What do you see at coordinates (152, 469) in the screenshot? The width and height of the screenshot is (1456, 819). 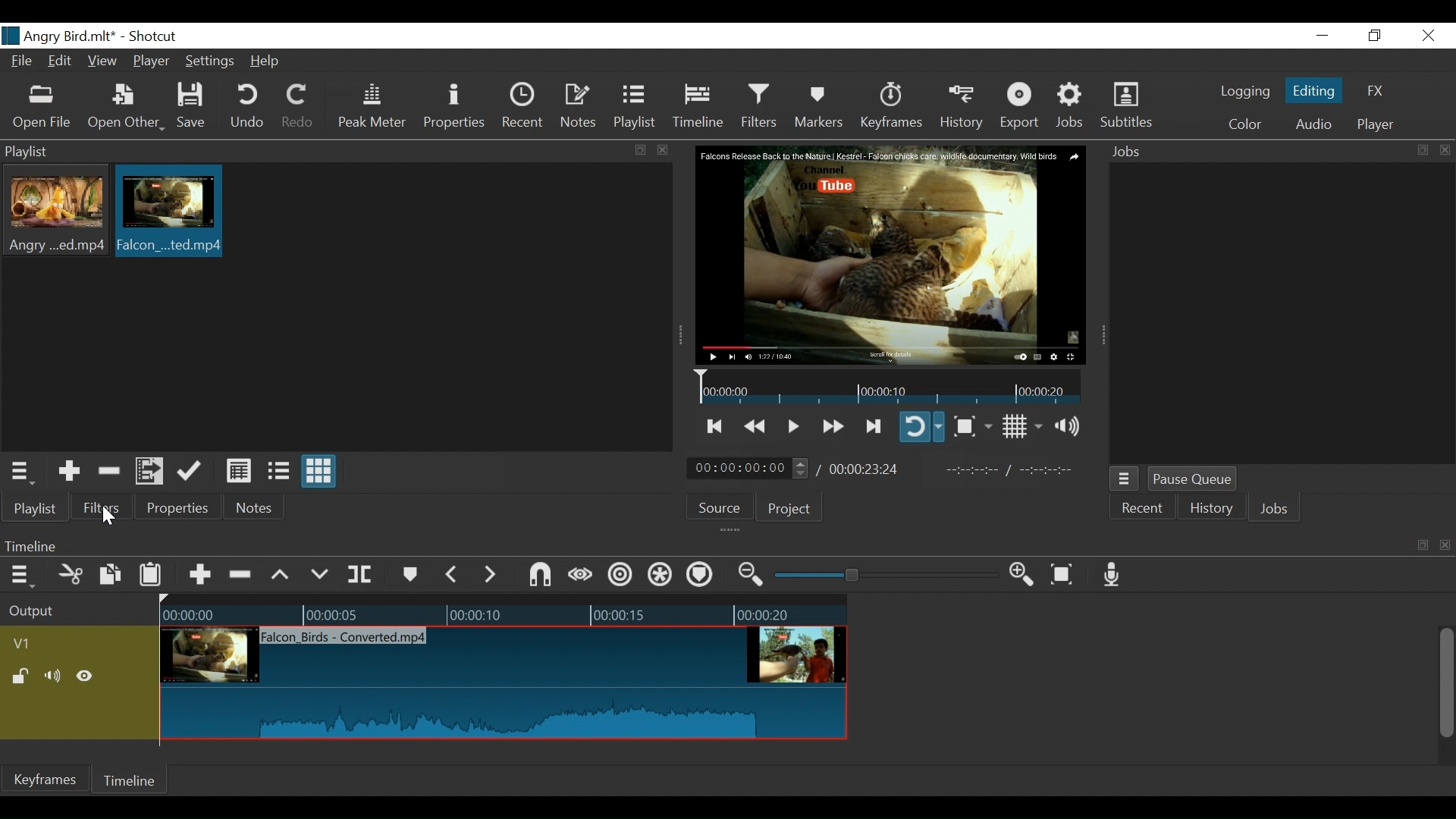 I see `Add files to the playlist` at bounding box center [152, 469].